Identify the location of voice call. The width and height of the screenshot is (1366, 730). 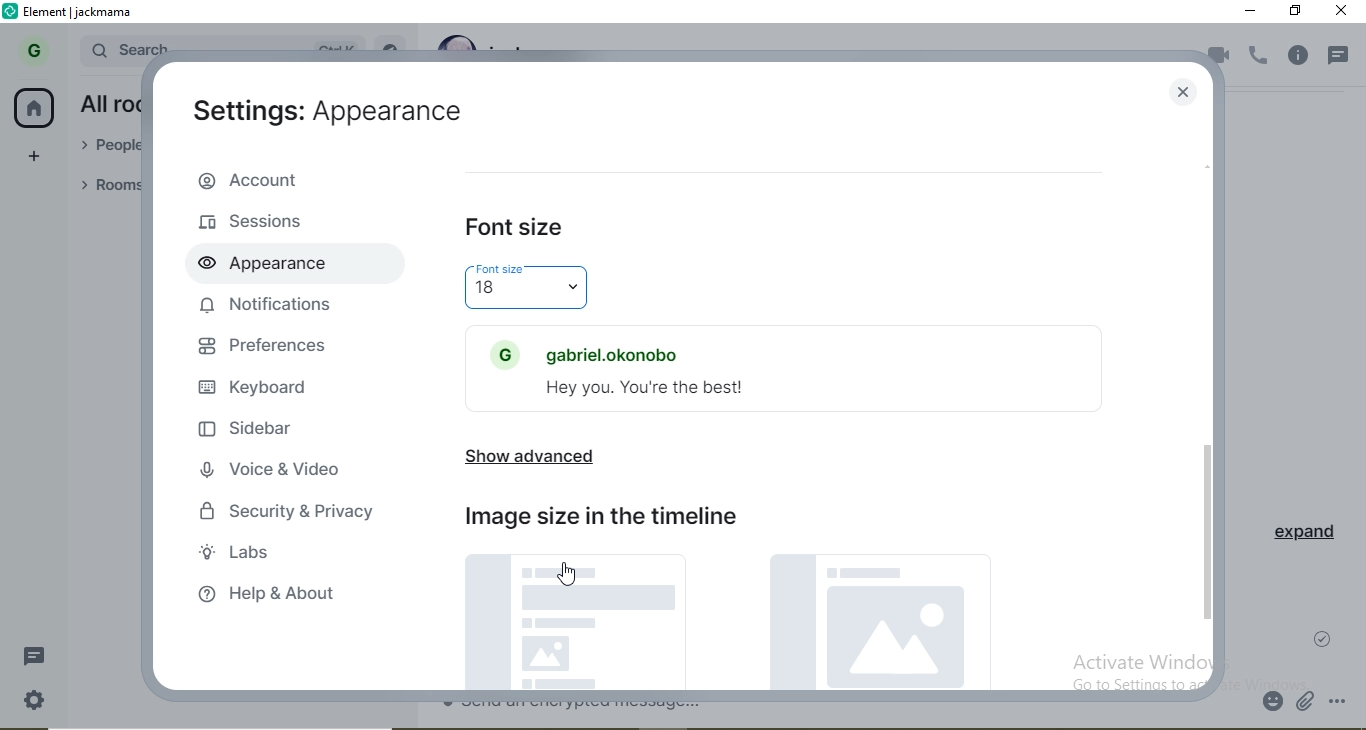
(1260, 57).